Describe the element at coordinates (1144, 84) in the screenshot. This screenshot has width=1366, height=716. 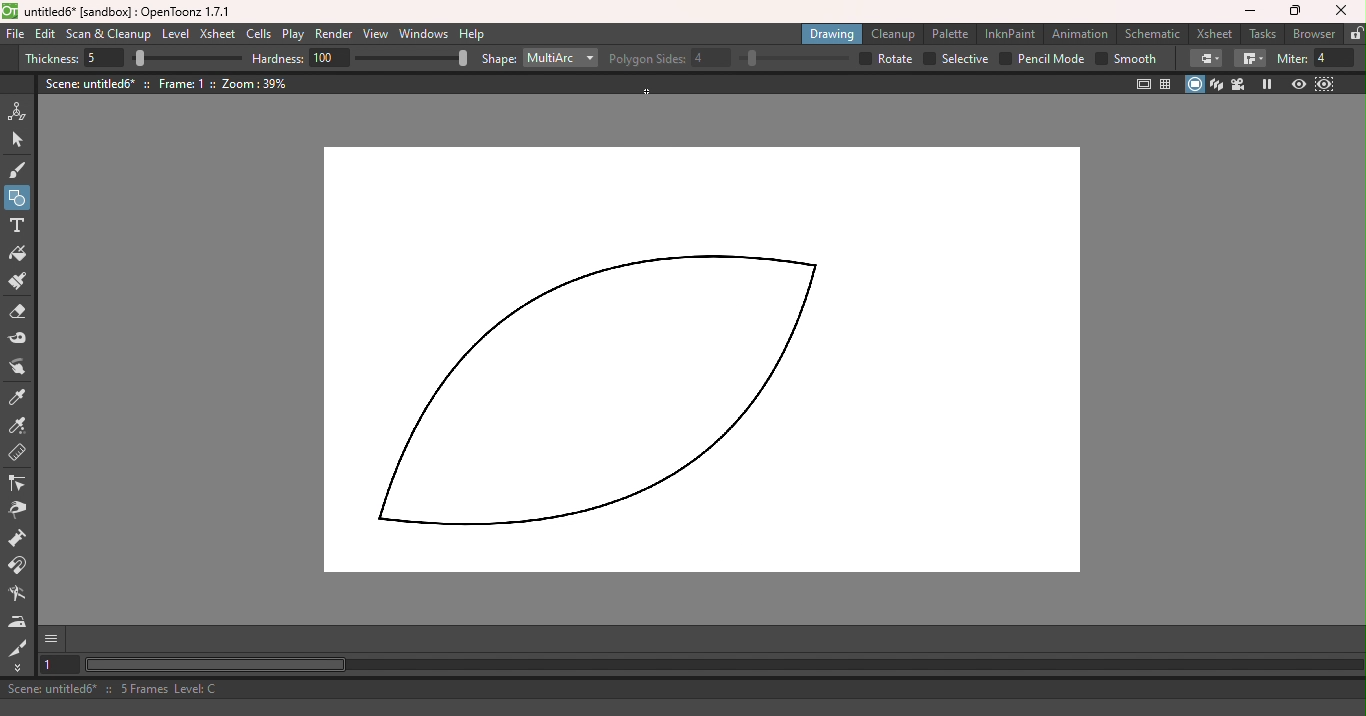
I see `Safe area` at that location.